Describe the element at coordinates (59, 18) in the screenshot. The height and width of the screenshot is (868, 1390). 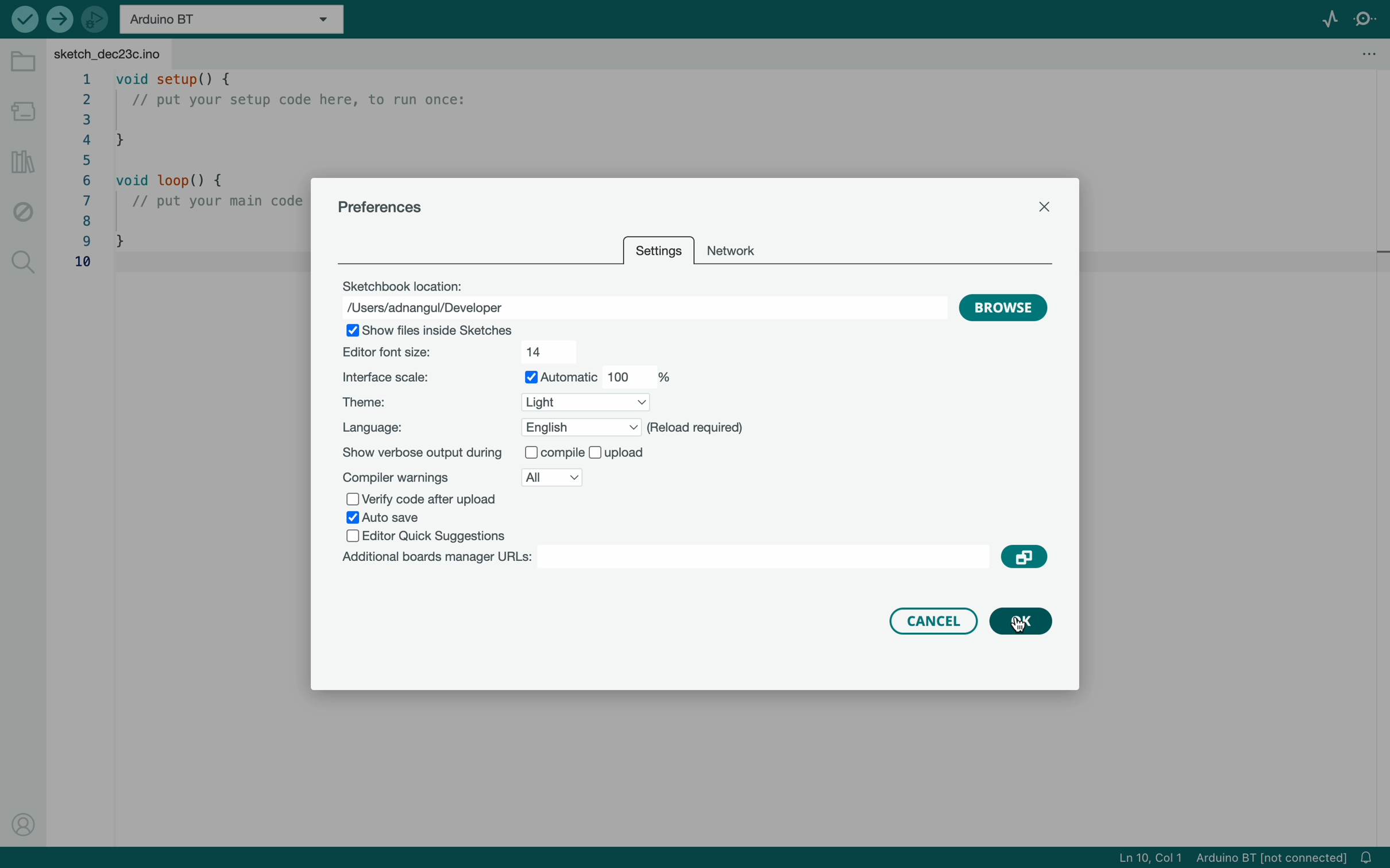
I see `upload` at that location.